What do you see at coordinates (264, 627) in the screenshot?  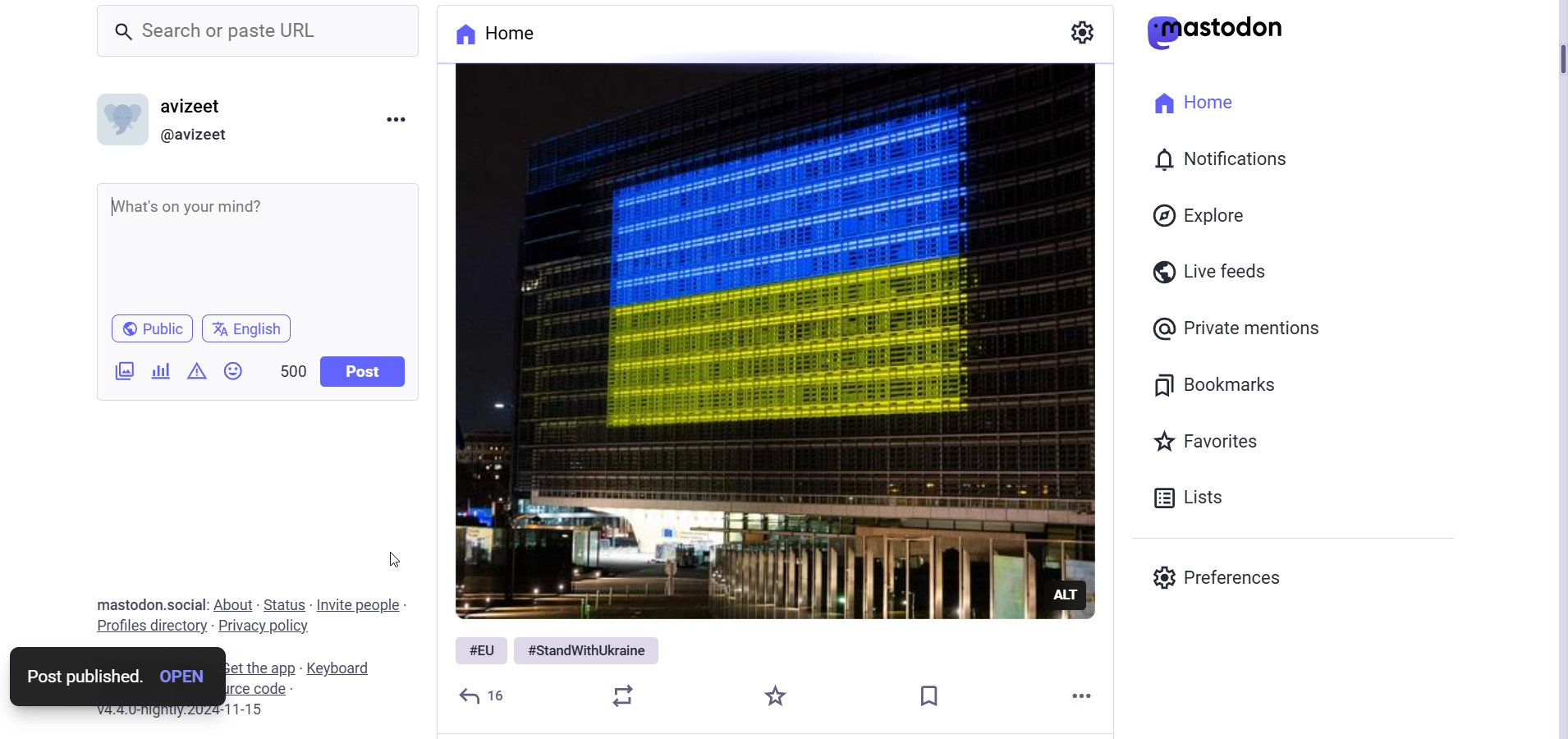 I see `Privacy Policy` at bounding box center [264, 627].